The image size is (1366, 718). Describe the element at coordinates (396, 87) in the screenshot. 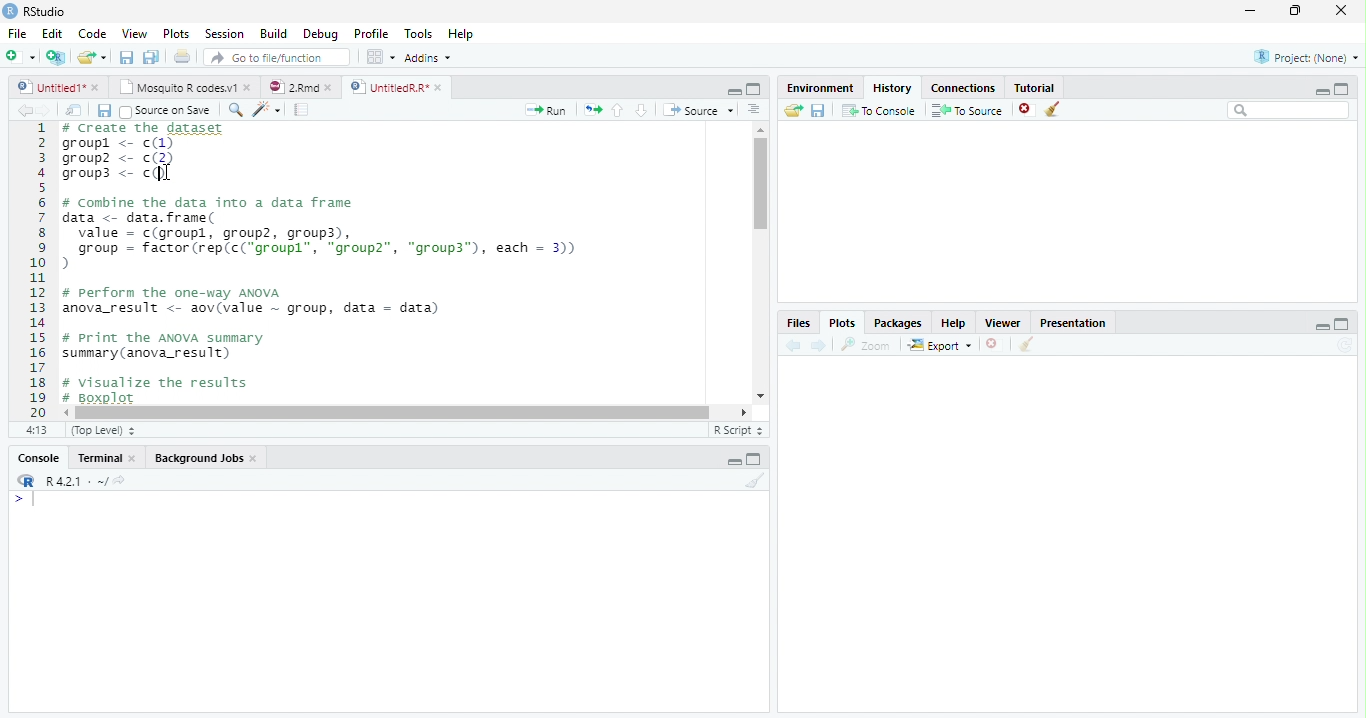

I see `Untitled R*` at that location.